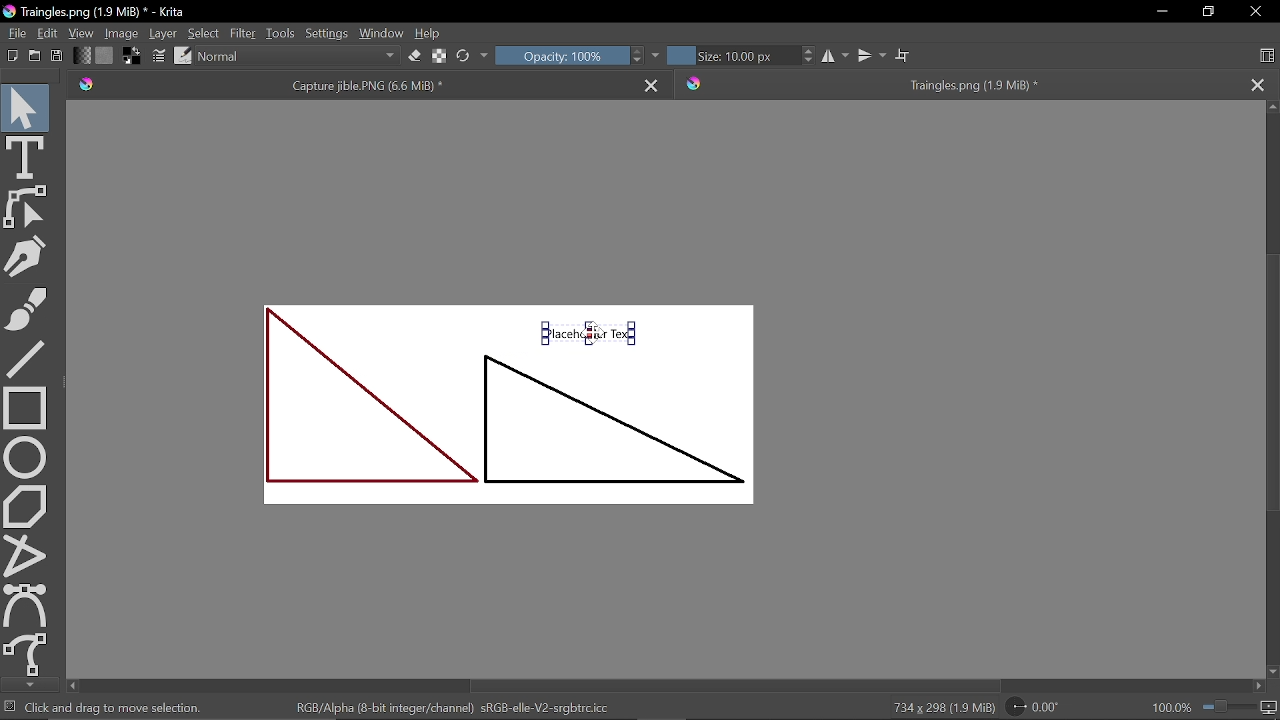  What do you see at coordinates (27, 605) in the screenshot?
I see `Bezier select tool` at bounding box center [27, 605].